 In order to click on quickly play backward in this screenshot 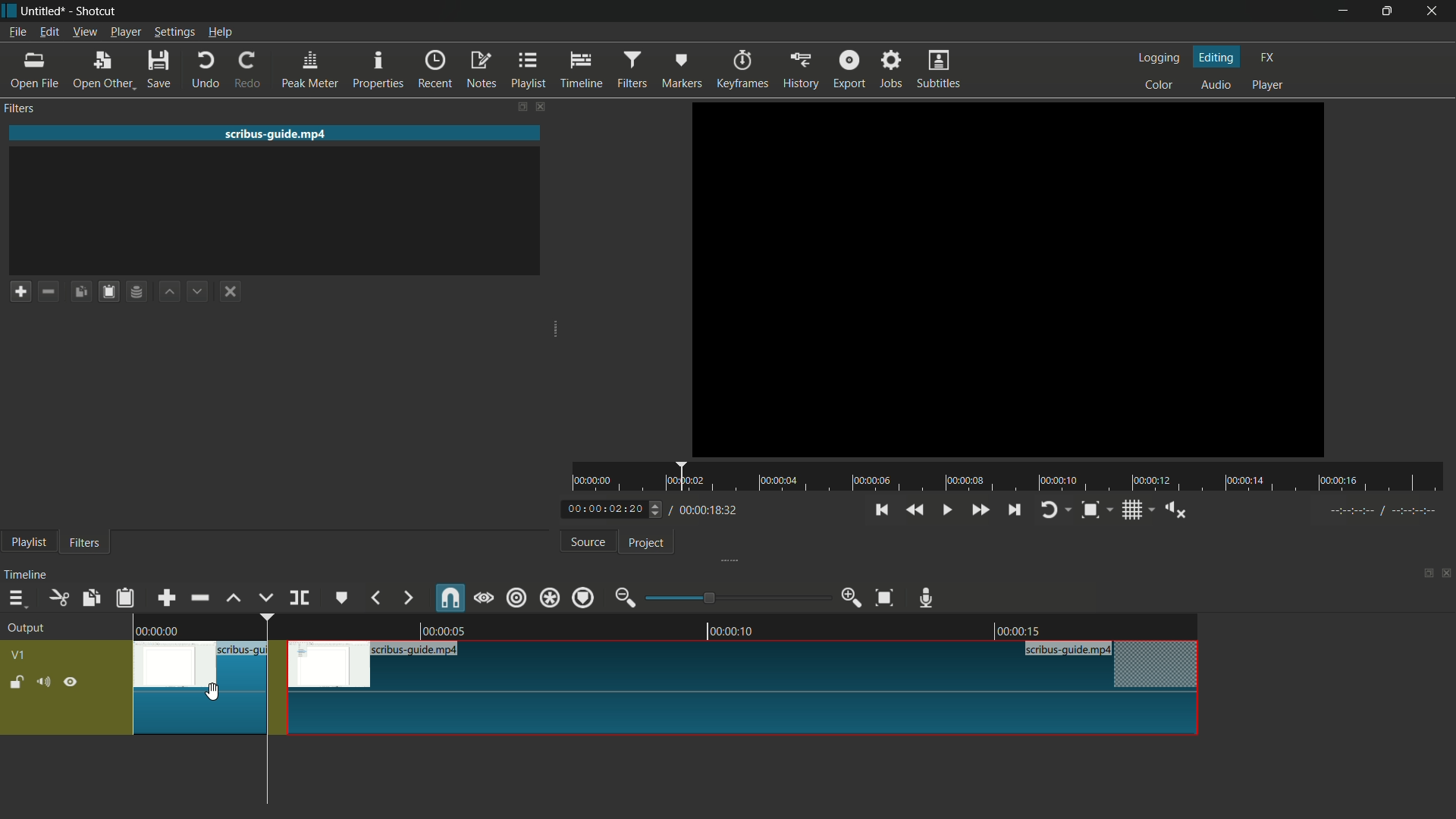, I will do `click(918, 510)`.